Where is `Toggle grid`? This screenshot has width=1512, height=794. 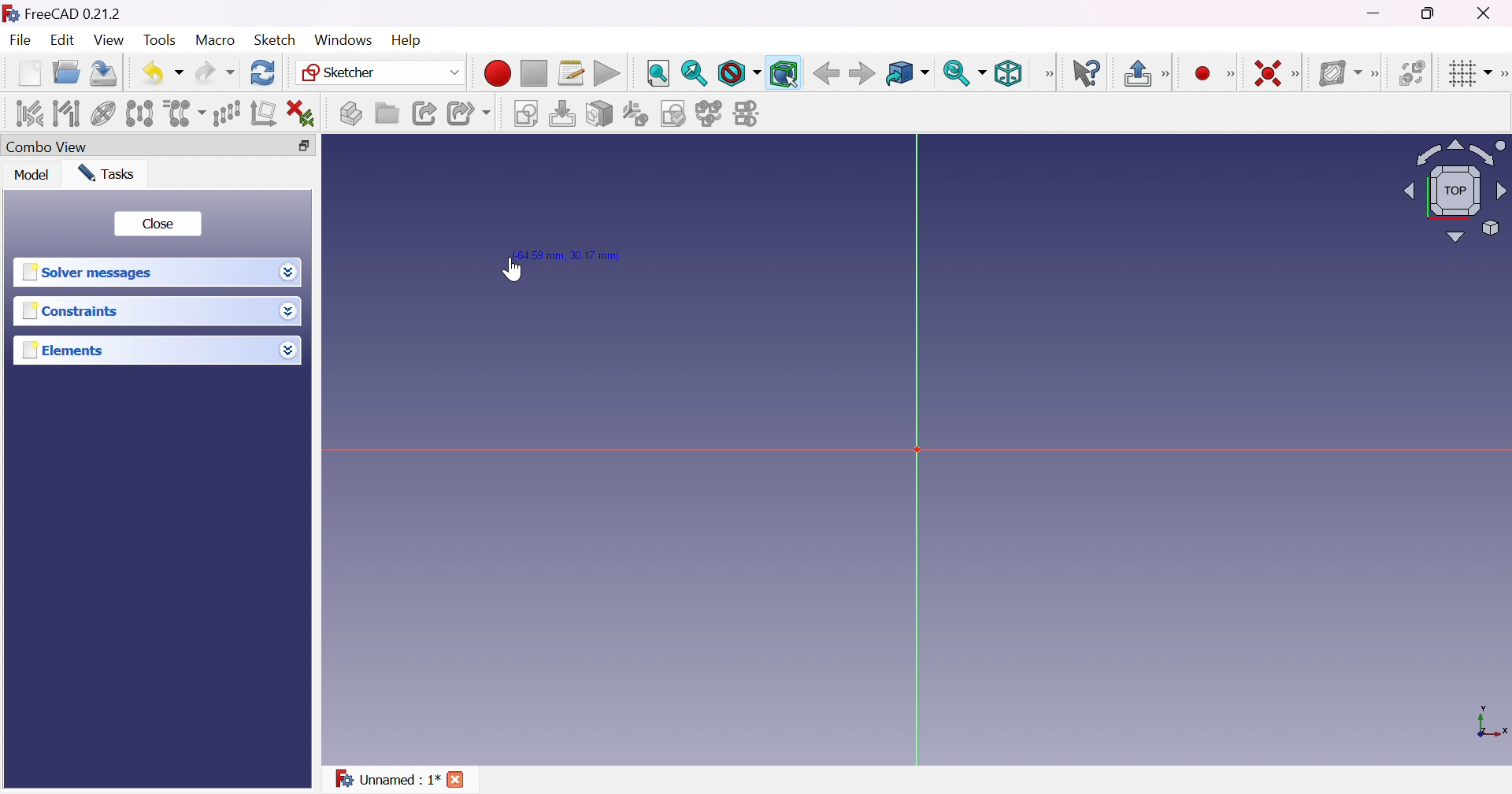 Toggle grid is located at coordinates (1466, 74).